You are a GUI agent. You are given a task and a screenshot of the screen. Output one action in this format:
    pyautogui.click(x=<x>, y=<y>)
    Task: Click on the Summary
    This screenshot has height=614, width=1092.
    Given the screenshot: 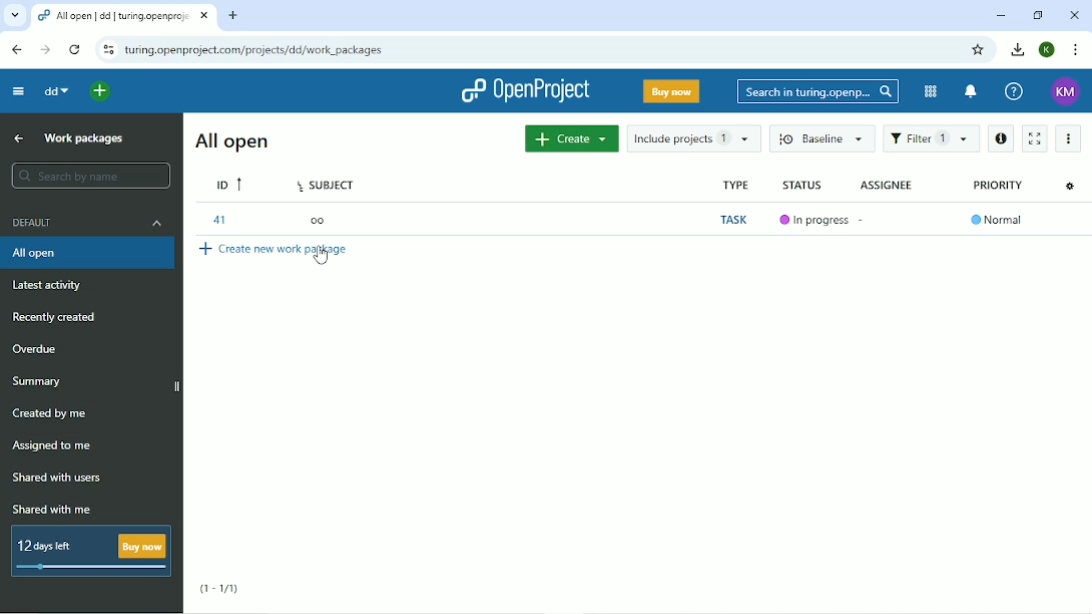 What is the action you would take?
    pyautogui.click(x=37, y=381)
    